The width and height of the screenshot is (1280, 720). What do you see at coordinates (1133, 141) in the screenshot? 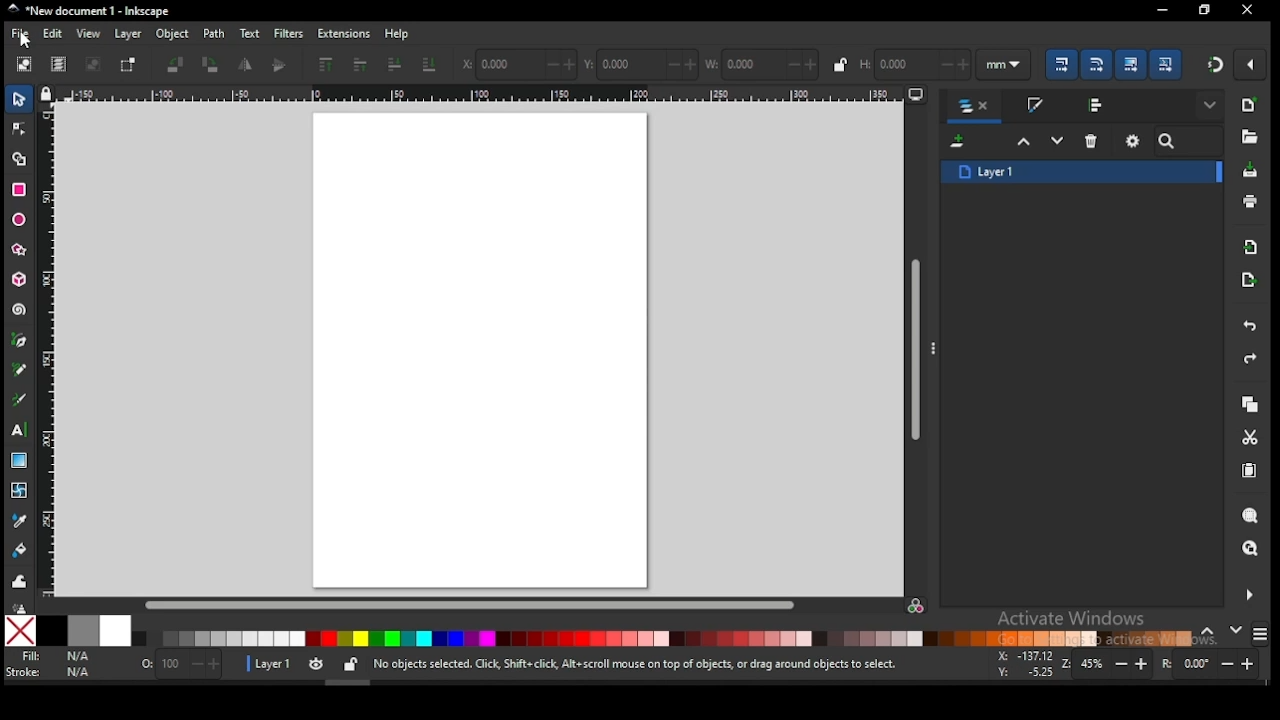
I see `layers and objects dialogue settings` at bounding box center [1133, 141].